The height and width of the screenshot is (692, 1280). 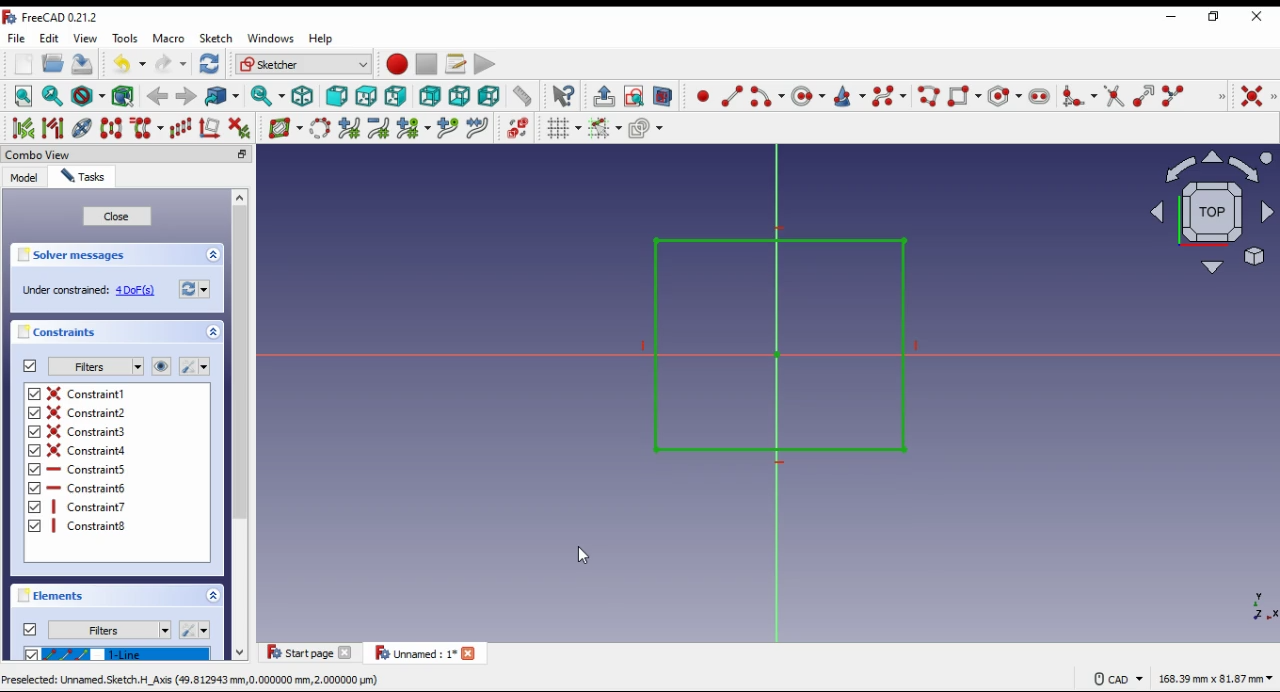 I want to click on create circle, so click(x=808, y=95).